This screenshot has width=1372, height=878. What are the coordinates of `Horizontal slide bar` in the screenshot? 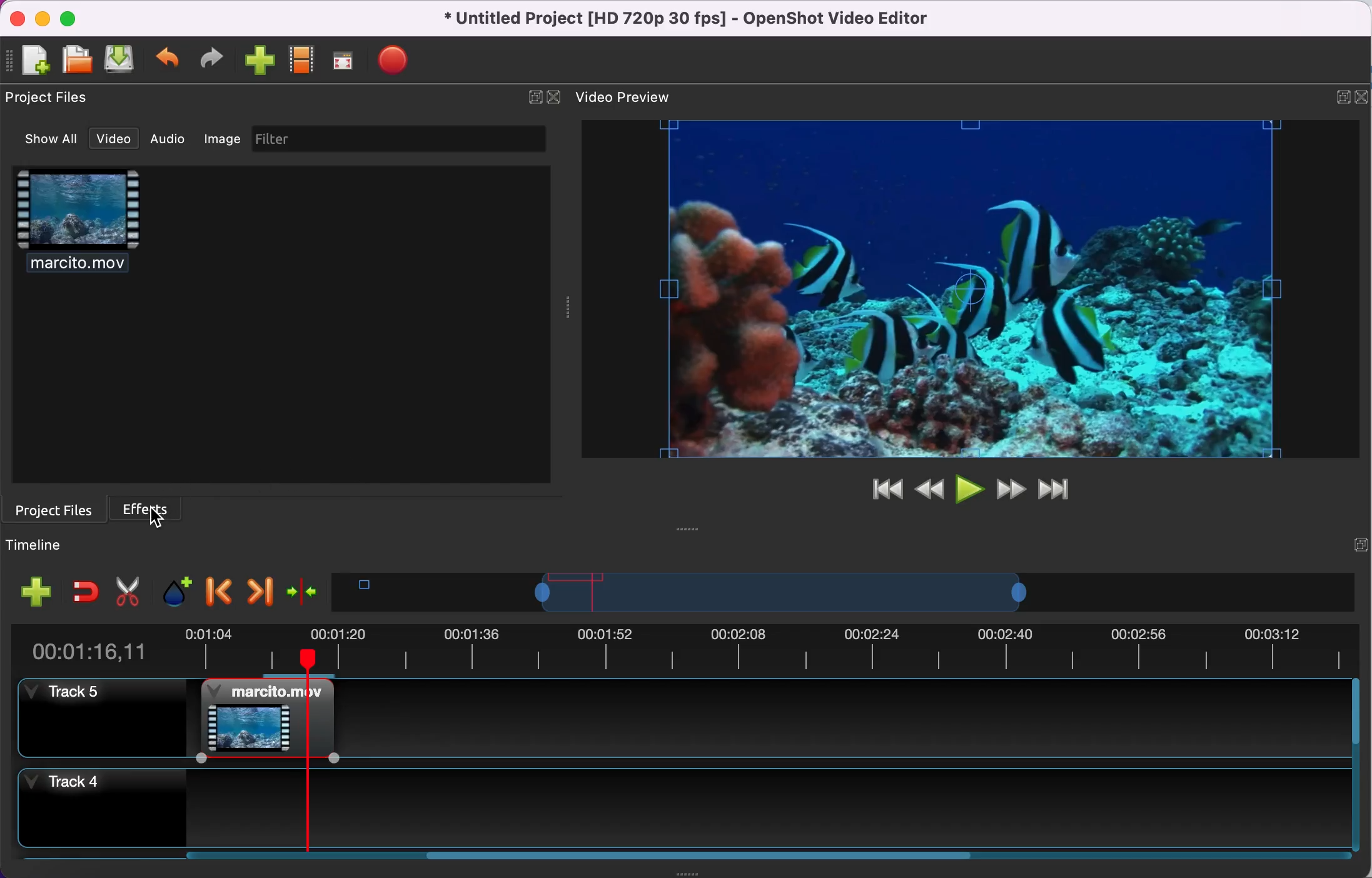 It's located at (753, 855).